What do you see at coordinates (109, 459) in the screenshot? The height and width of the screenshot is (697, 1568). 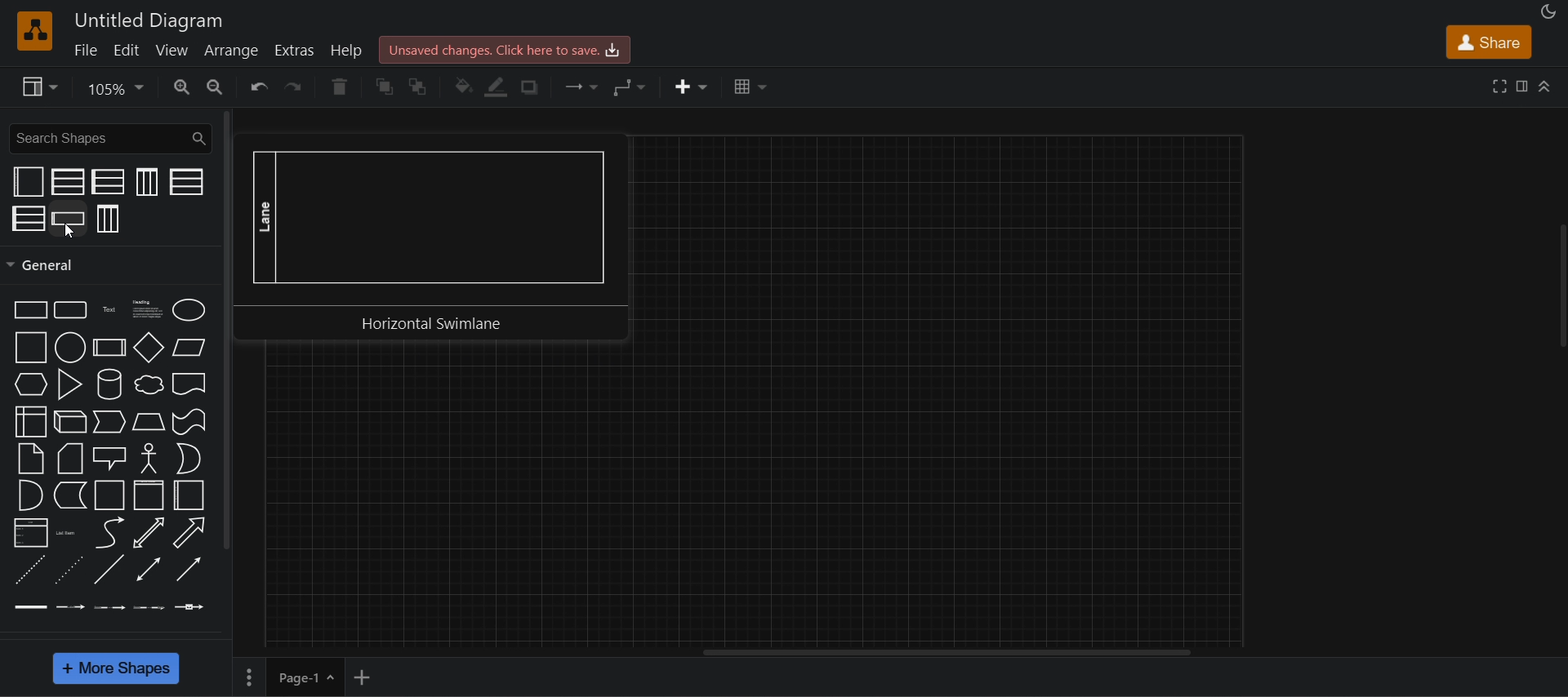 I see `callout` at bounding box center [109, 459].